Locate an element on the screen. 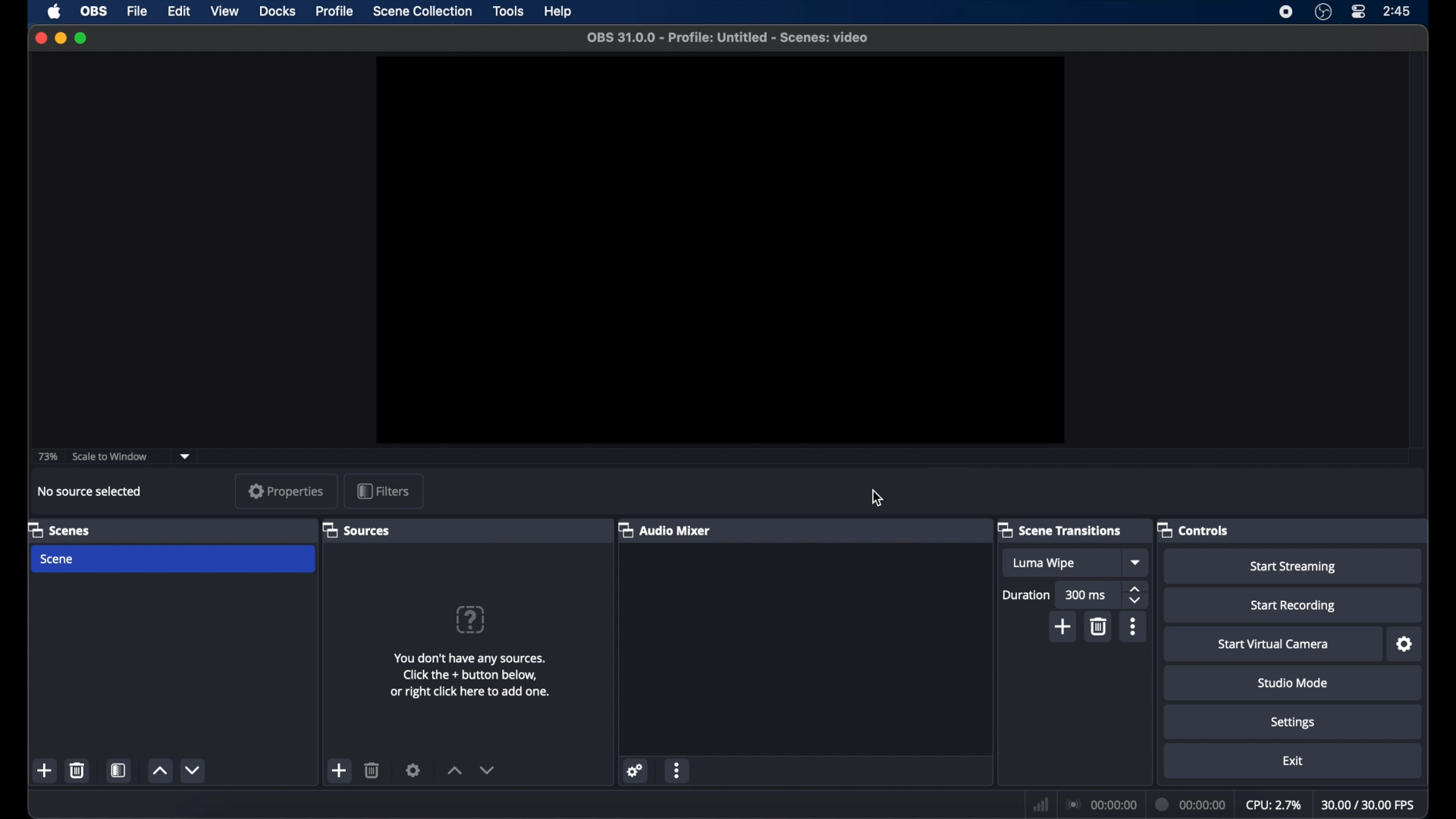 The image size is (1456, 819). scene transitions is located at coordinates (1059, 531).